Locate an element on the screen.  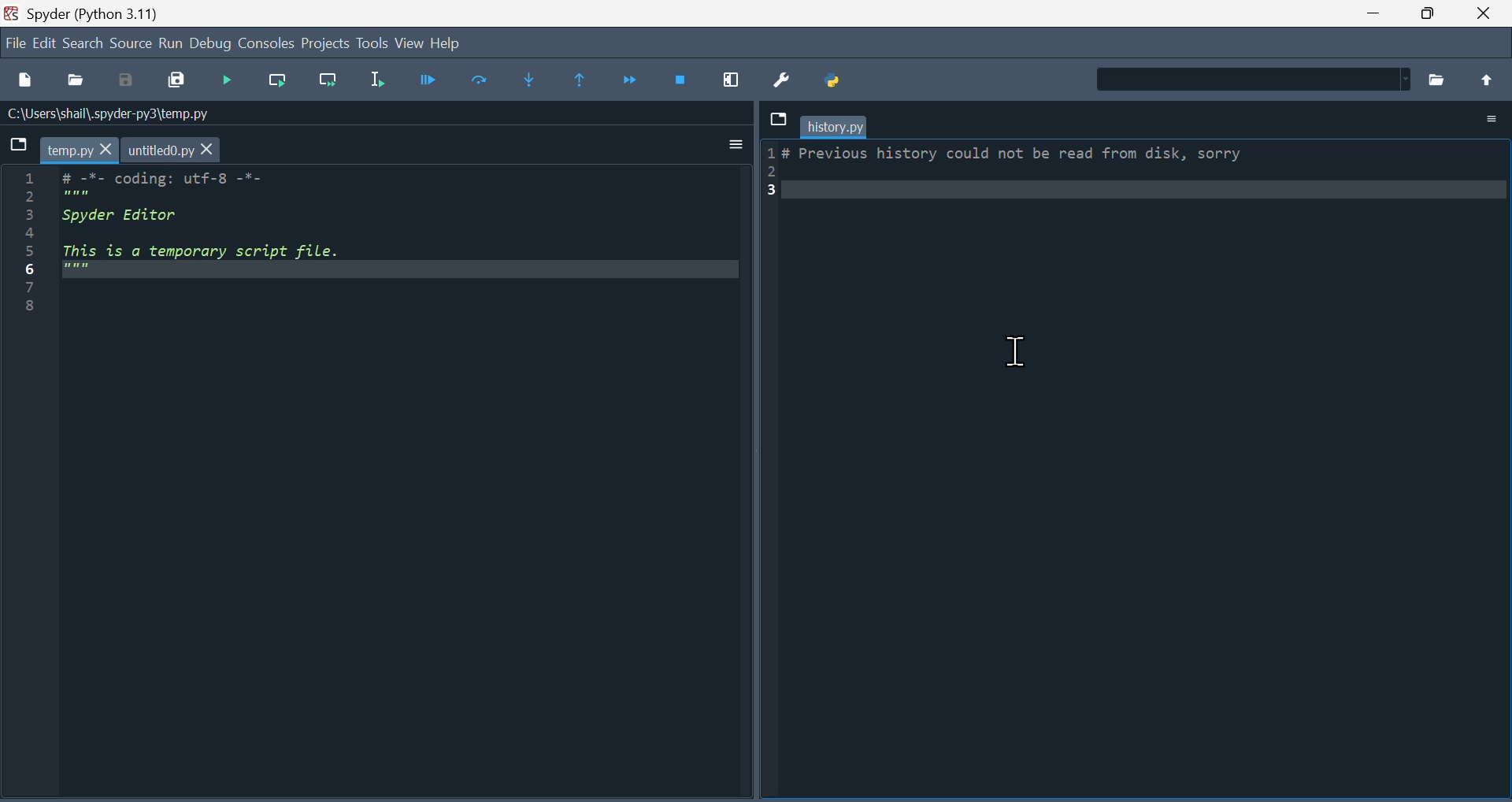
Options is located at coordinates (1493, 119).